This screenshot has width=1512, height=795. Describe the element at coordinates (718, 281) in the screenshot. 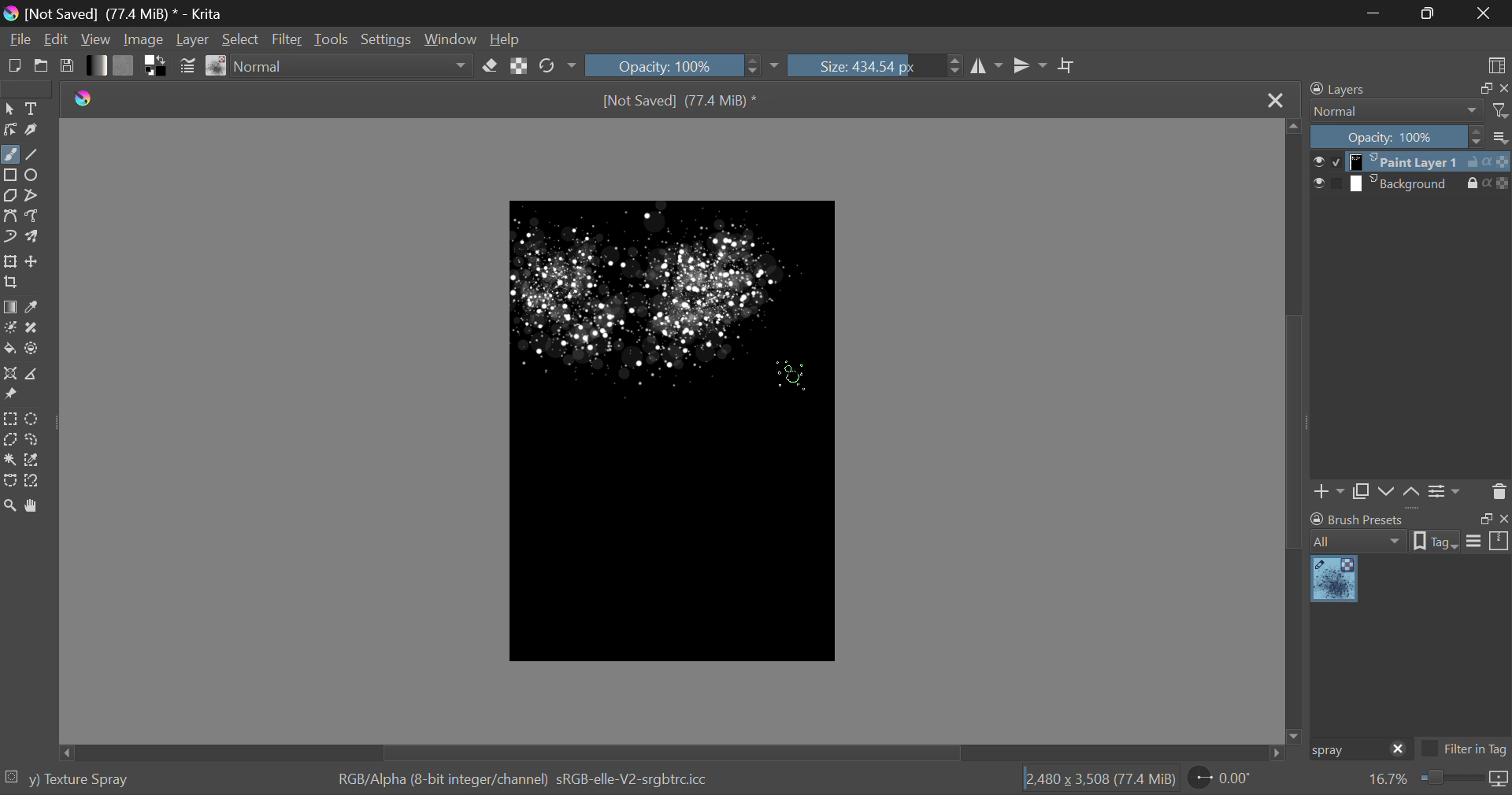

I see `Brush Stroke Added` at that location.